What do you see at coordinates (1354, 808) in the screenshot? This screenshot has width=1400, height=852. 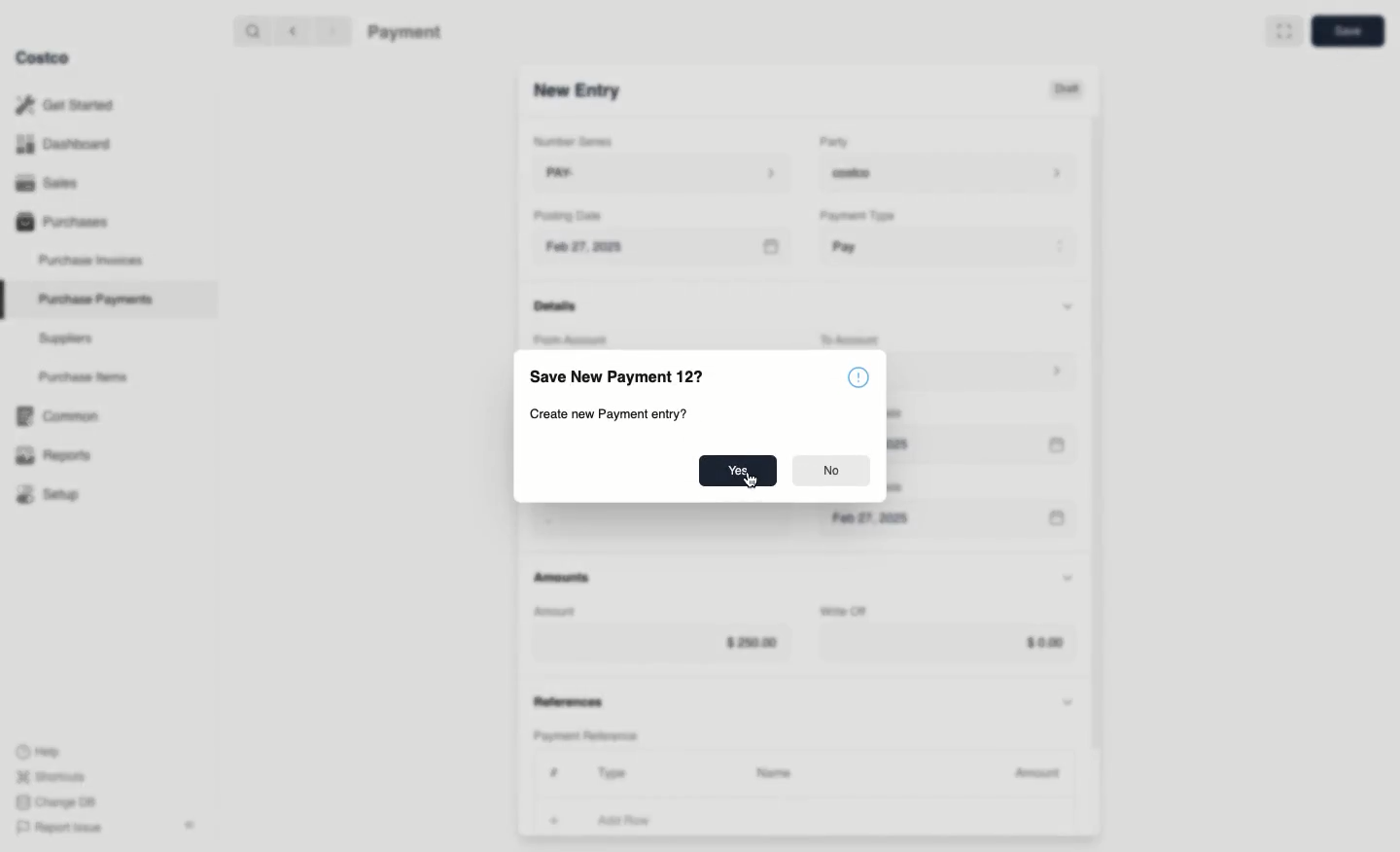 I see `Close` at bounding box center [1354, 808].